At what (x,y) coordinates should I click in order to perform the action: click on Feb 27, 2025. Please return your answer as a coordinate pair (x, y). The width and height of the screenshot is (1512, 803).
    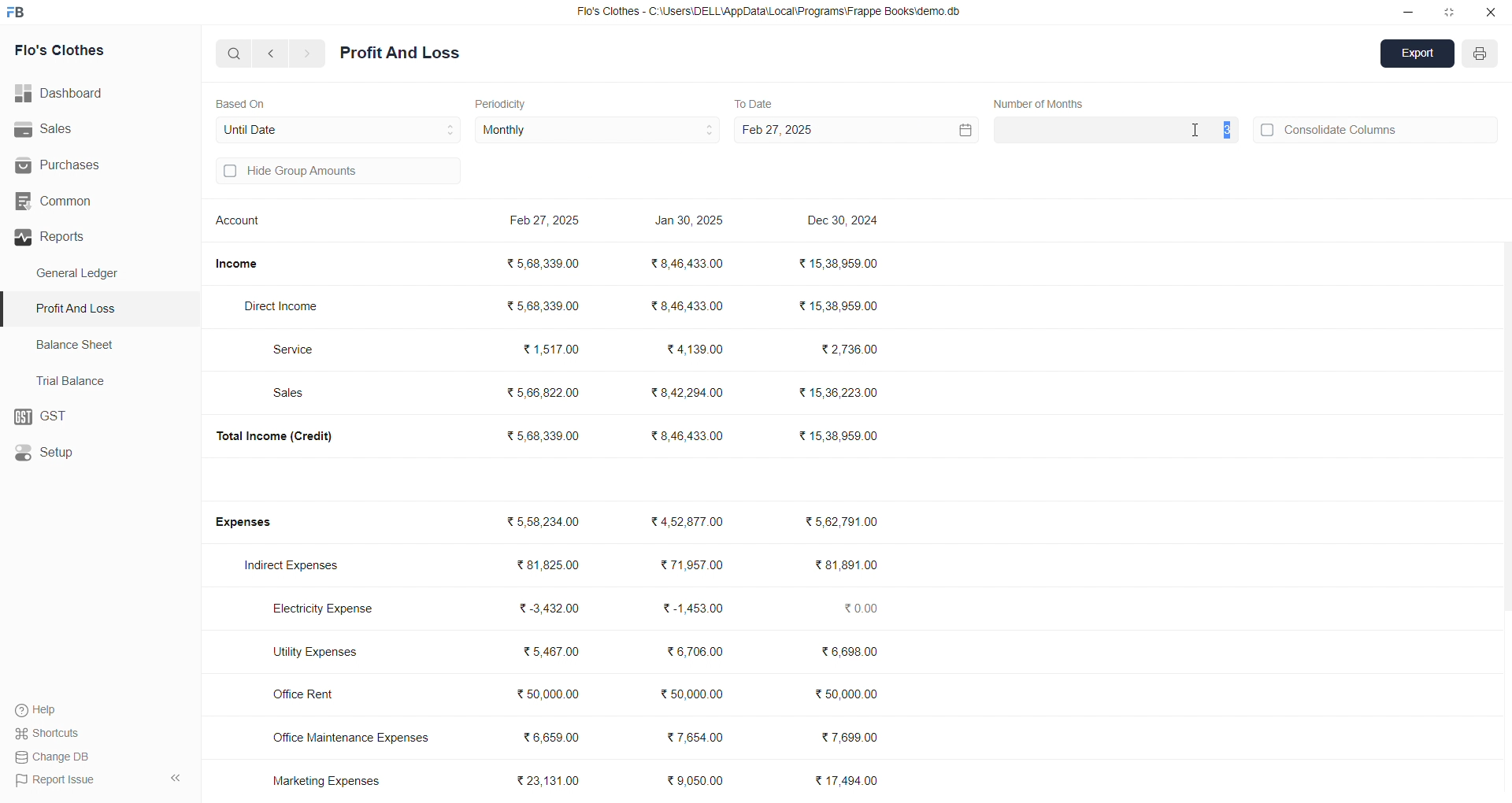
    Looking at the image, I should click on (854, 130).